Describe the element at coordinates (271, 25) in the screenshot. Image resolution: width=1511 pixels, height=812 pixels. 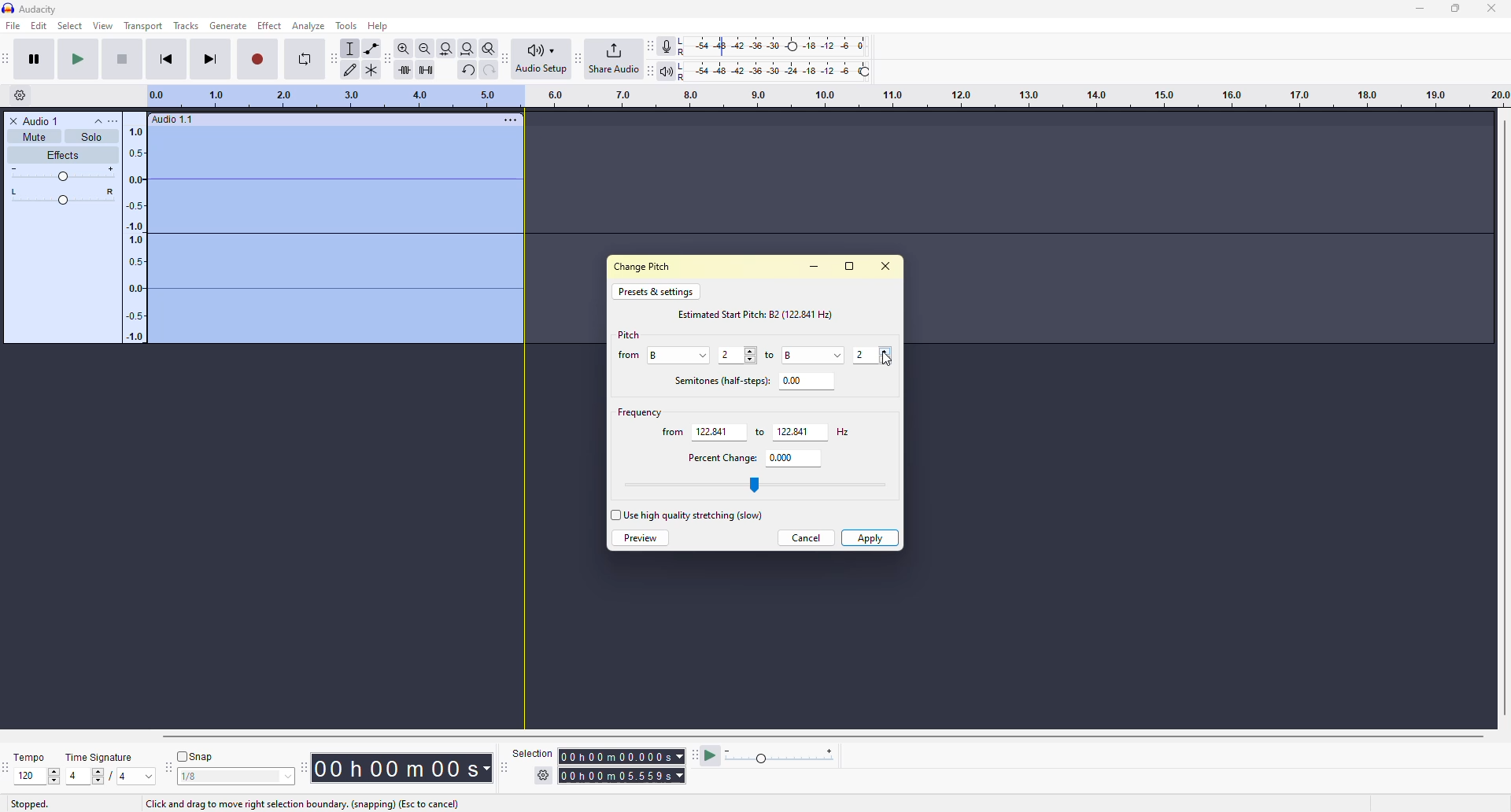
I see `effect` at that location.